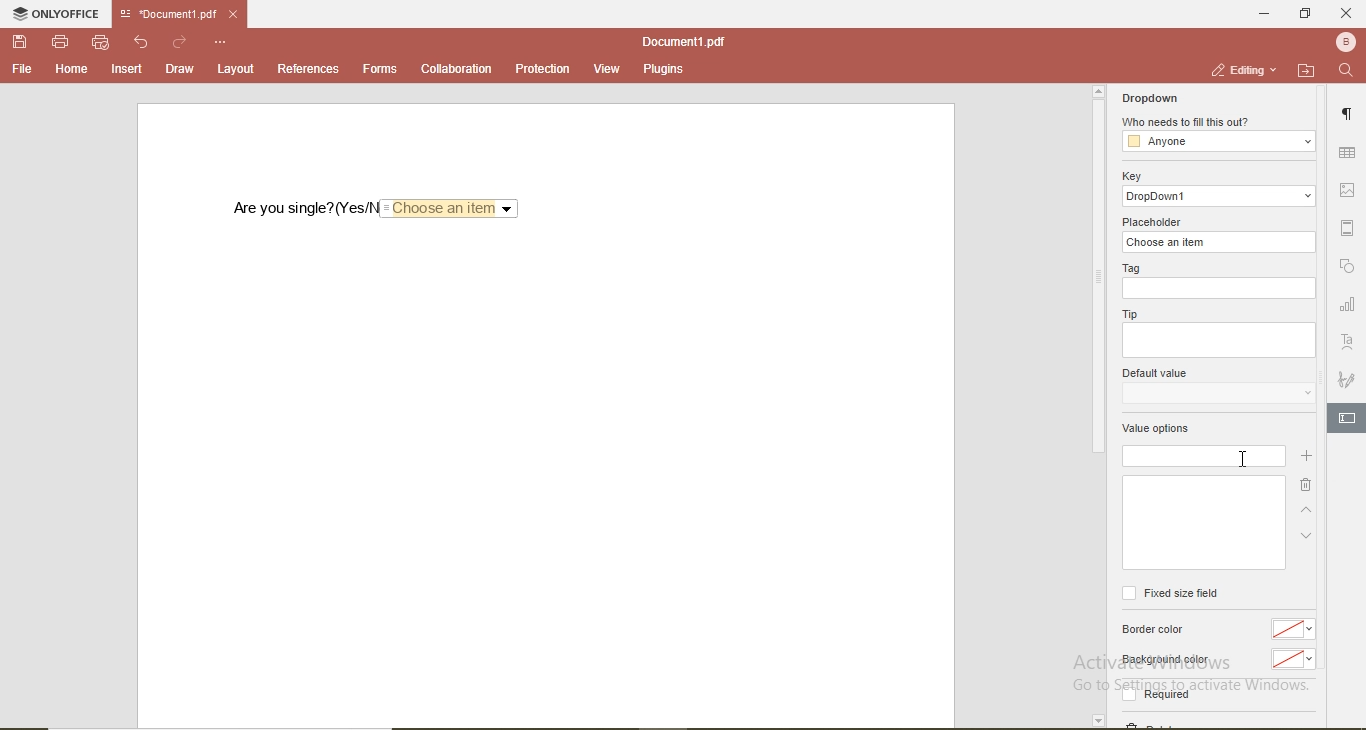 The height and width of the screenshot is (730, 1366). Describe the element at coordinates (142, 43) in the screenshot. I see `undo` at that location.